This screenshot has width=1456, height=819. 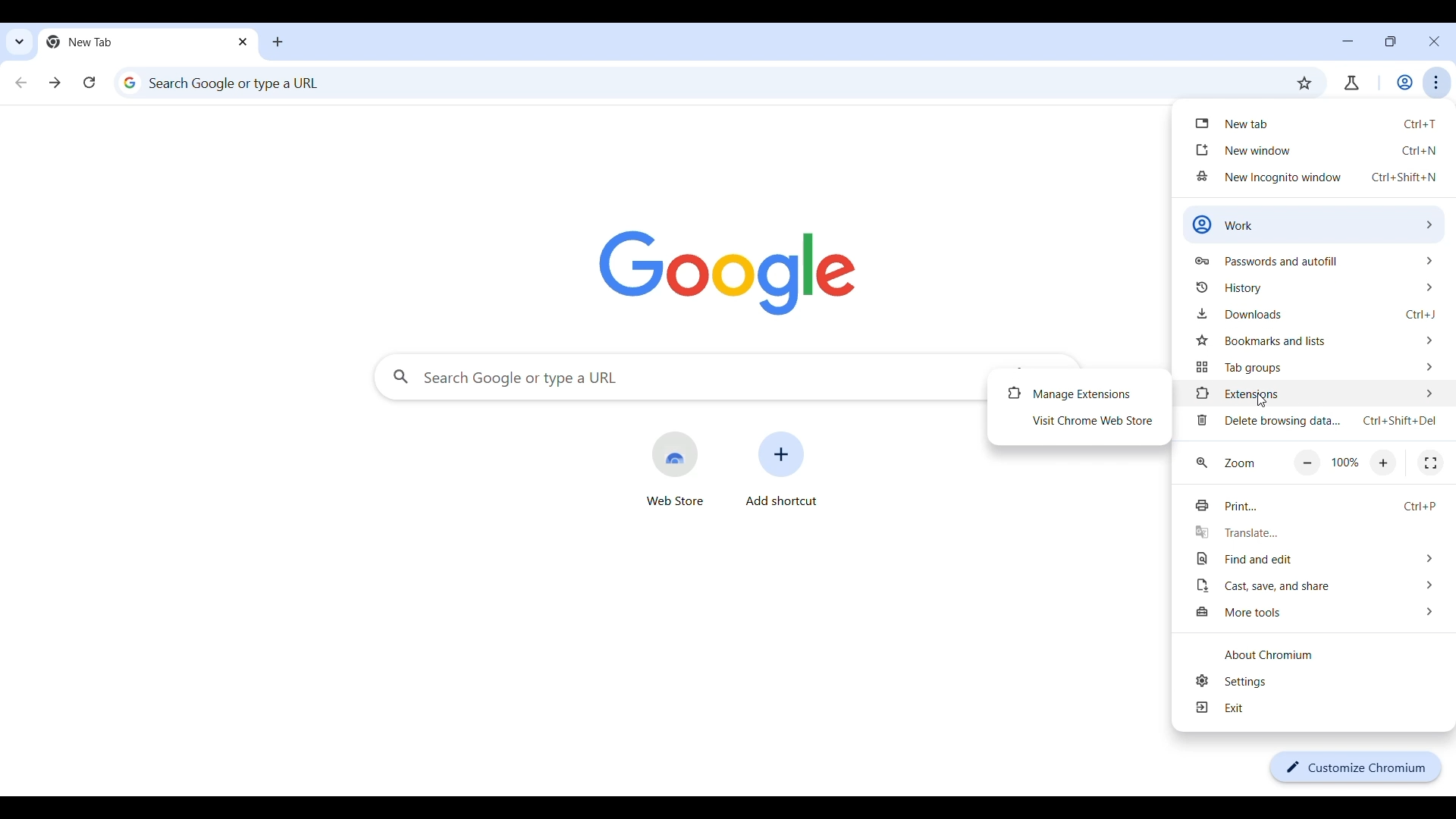 I want to click on Search Google or enter web link, so click(x=679, y=377).